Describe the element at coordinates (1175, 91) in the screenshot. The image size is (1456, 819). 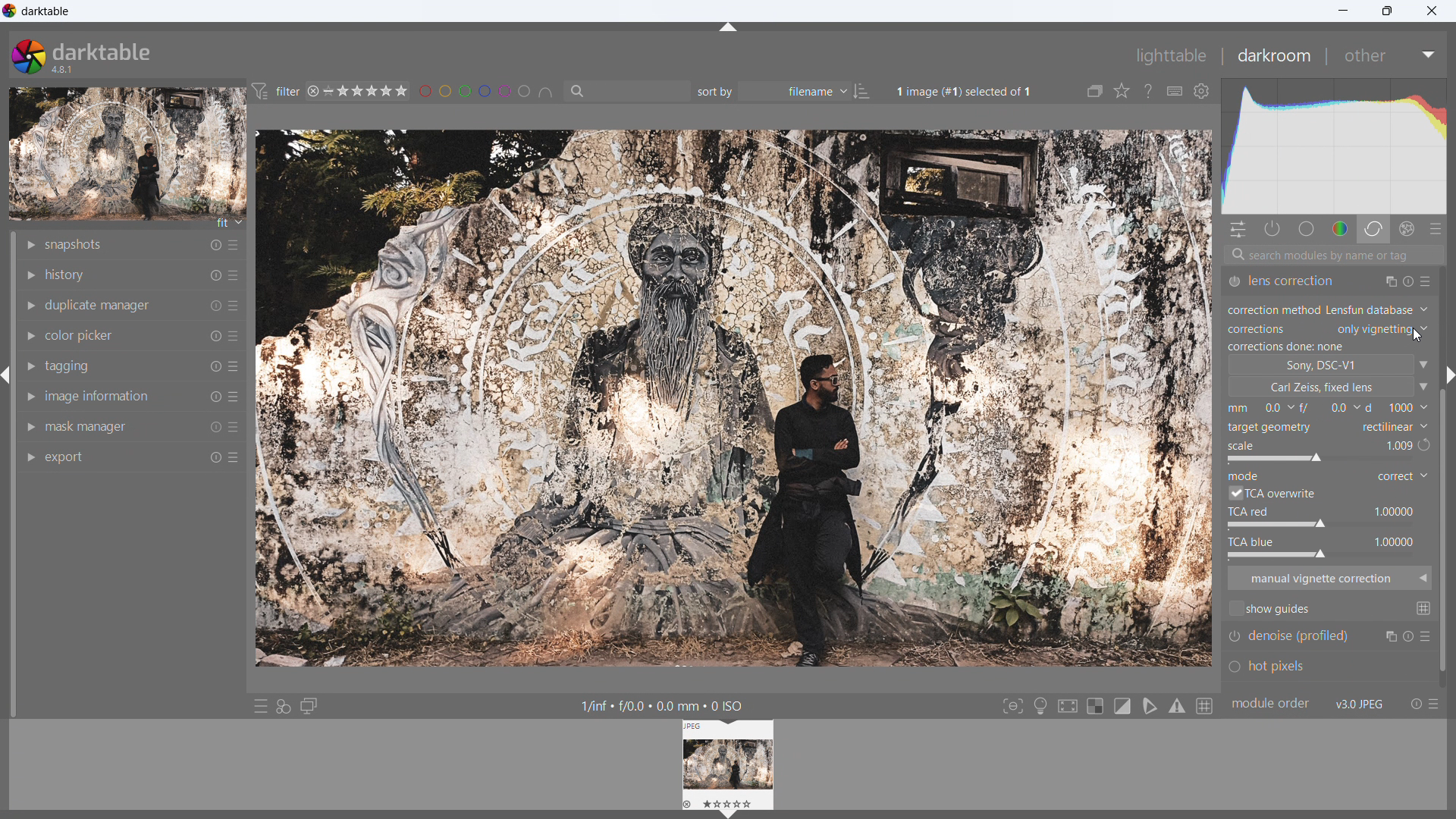
I see `define shortcuts` at that location.